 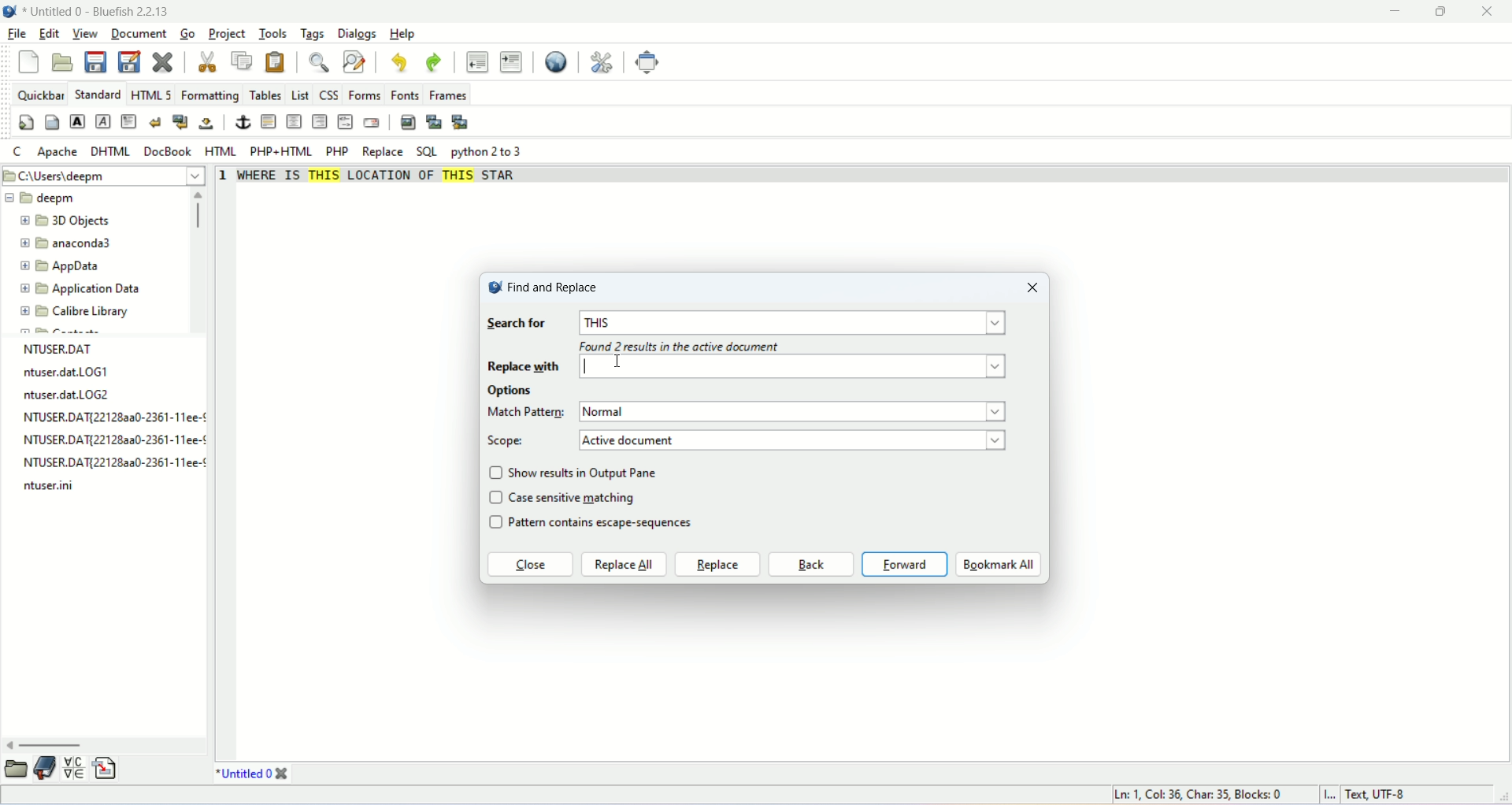 I want to click on center, so click(x=294, y=122).